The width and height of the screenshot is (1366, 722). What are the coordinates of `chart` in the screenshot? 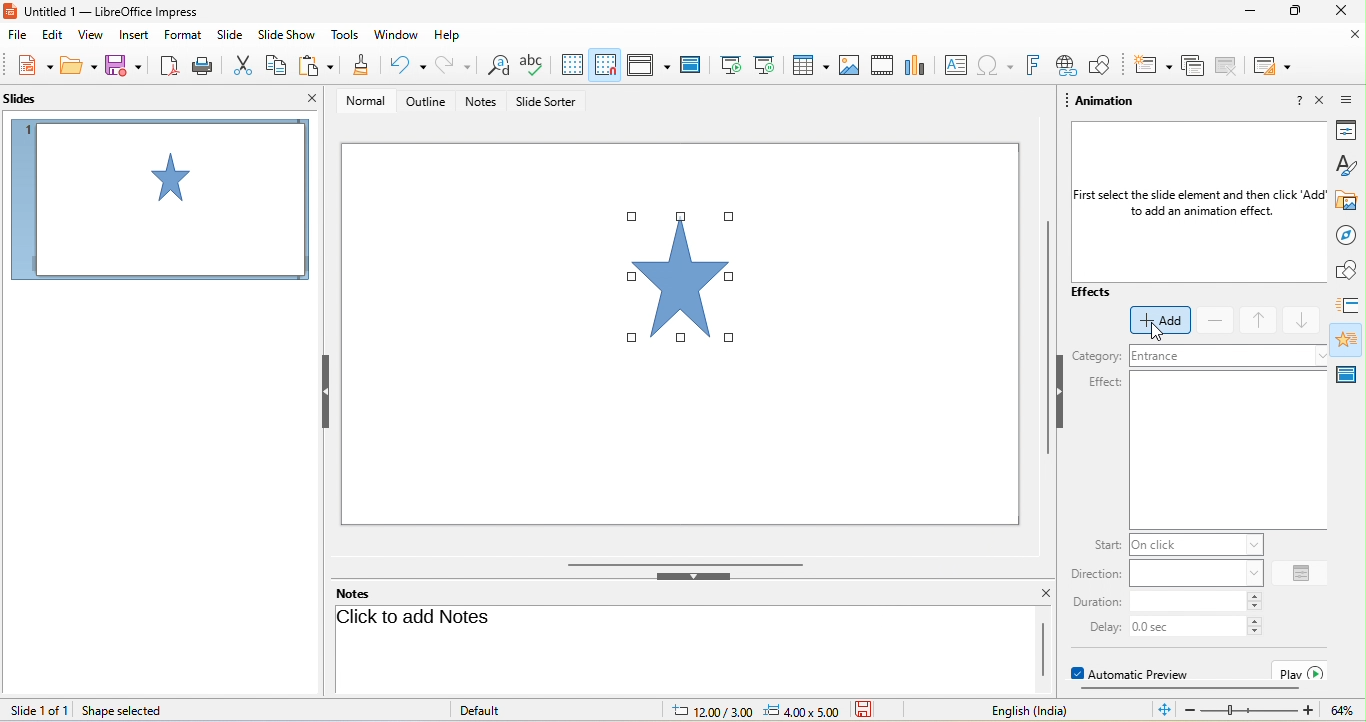 It's located at (917, 64).